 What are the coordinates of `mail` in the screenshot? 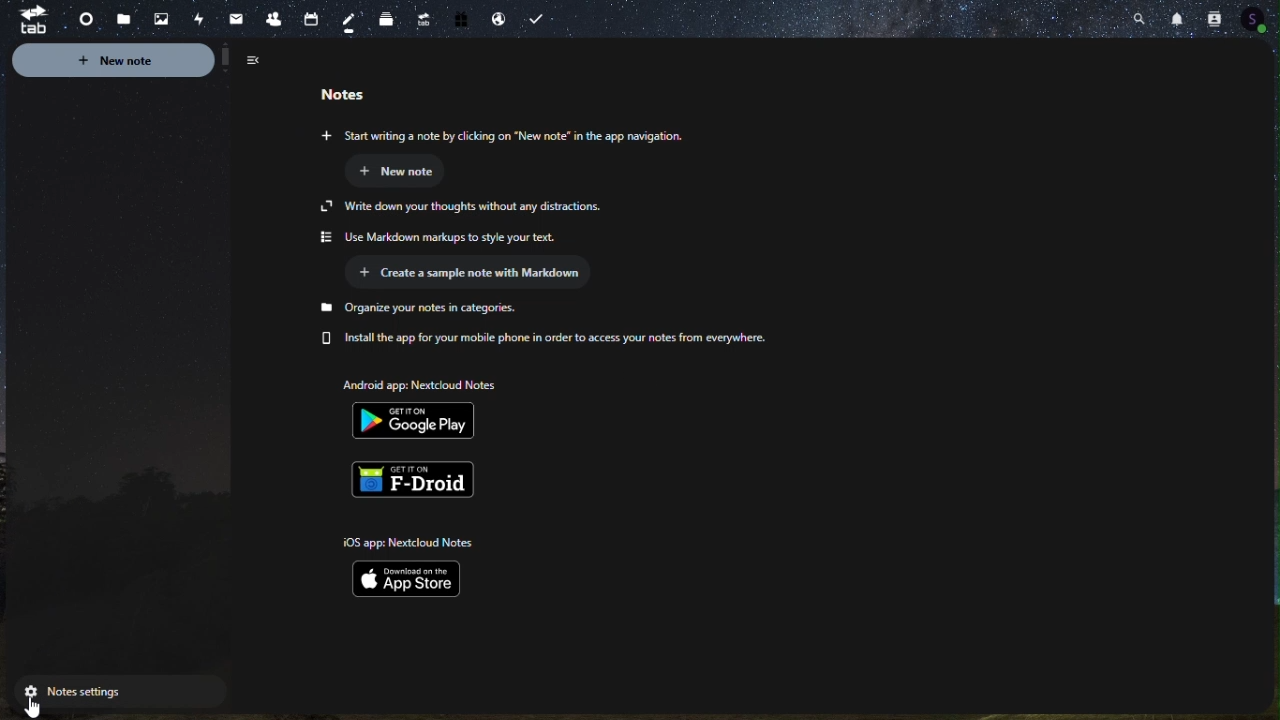 It's located at (229, 19).